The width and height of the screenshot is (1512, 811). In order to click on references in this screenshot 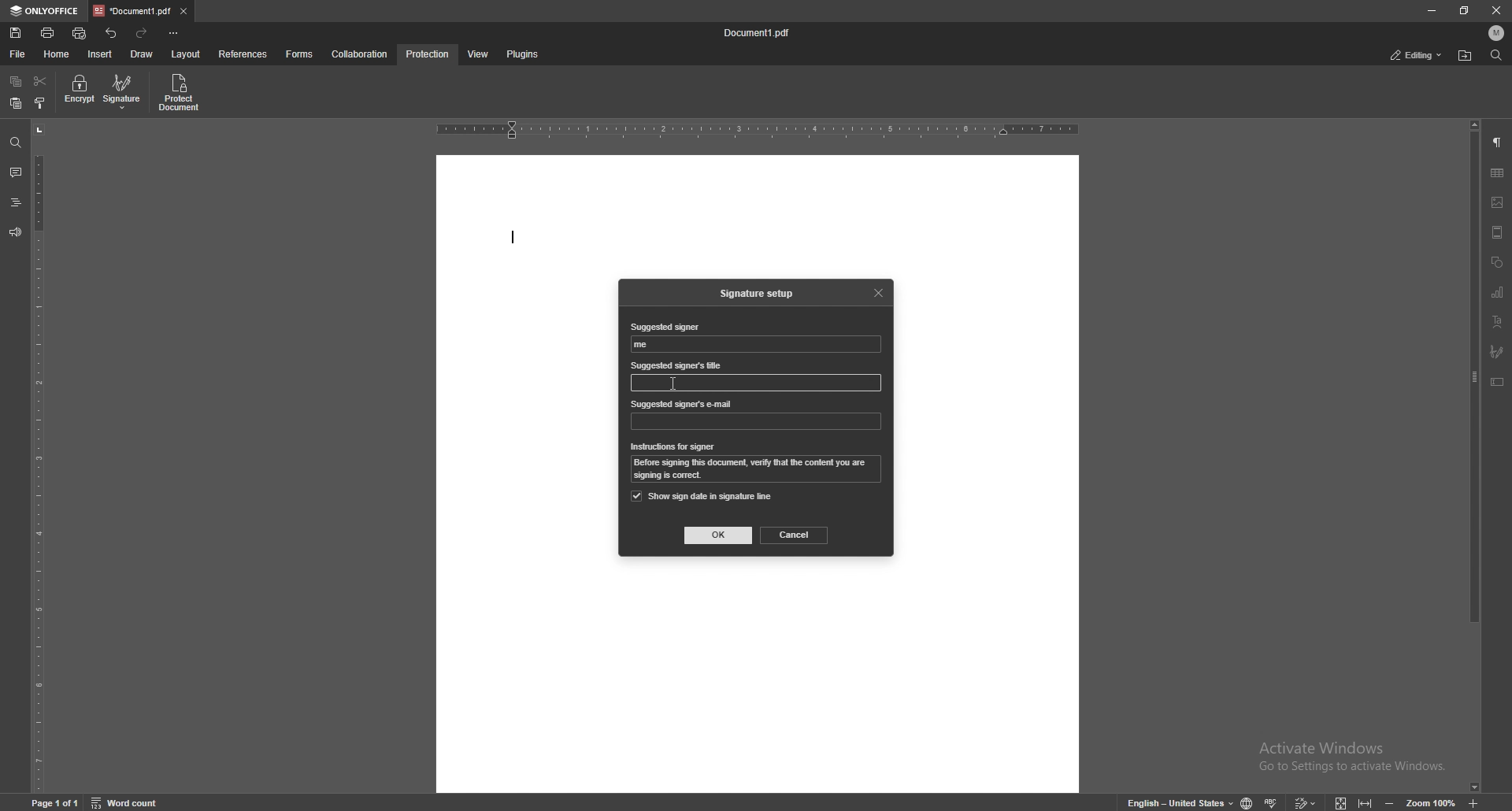, I will do `click(245, 54)`.